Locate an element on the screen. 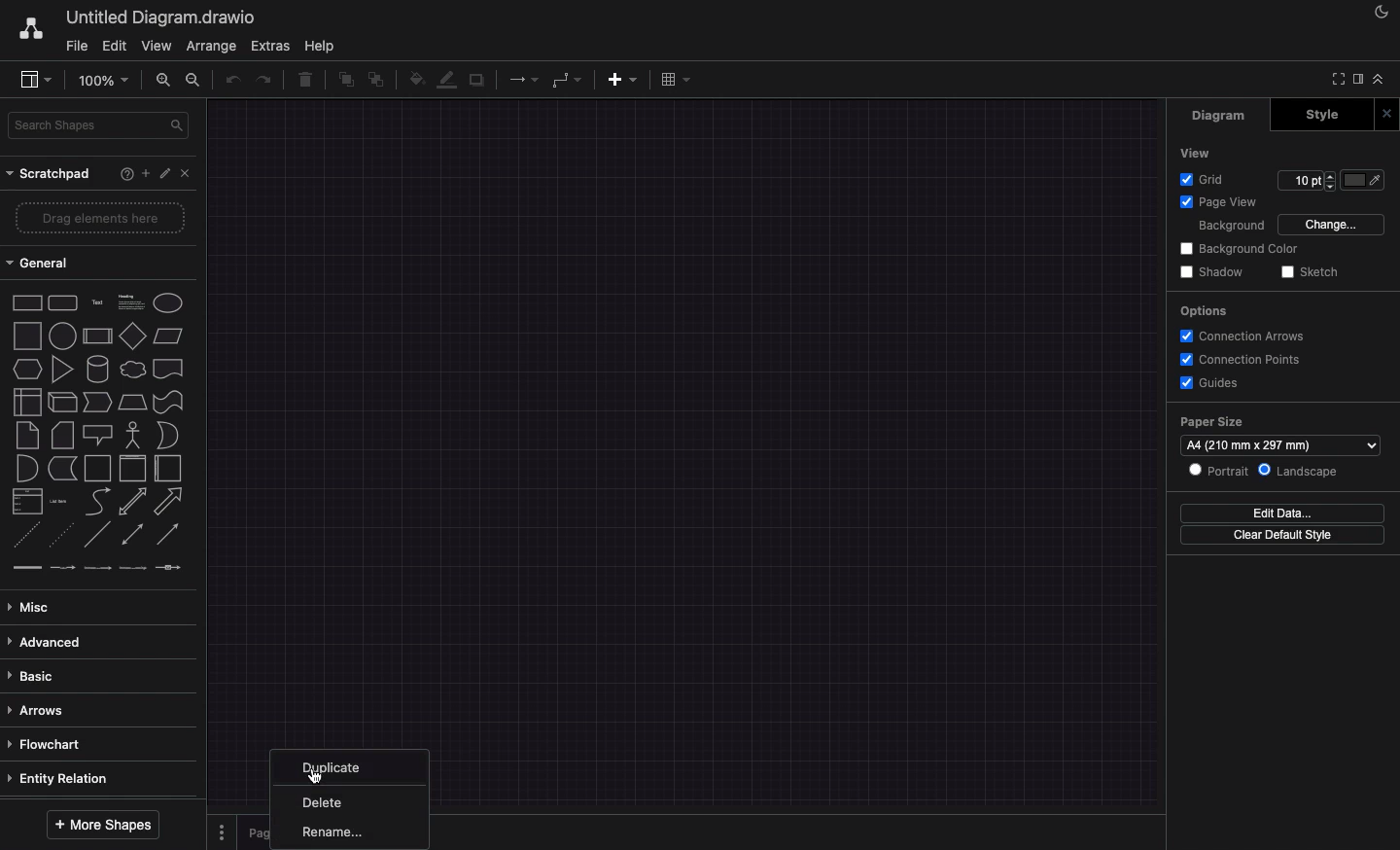 This screenshot has height=850, width=1400. extras is located at coordinates (268, 45).